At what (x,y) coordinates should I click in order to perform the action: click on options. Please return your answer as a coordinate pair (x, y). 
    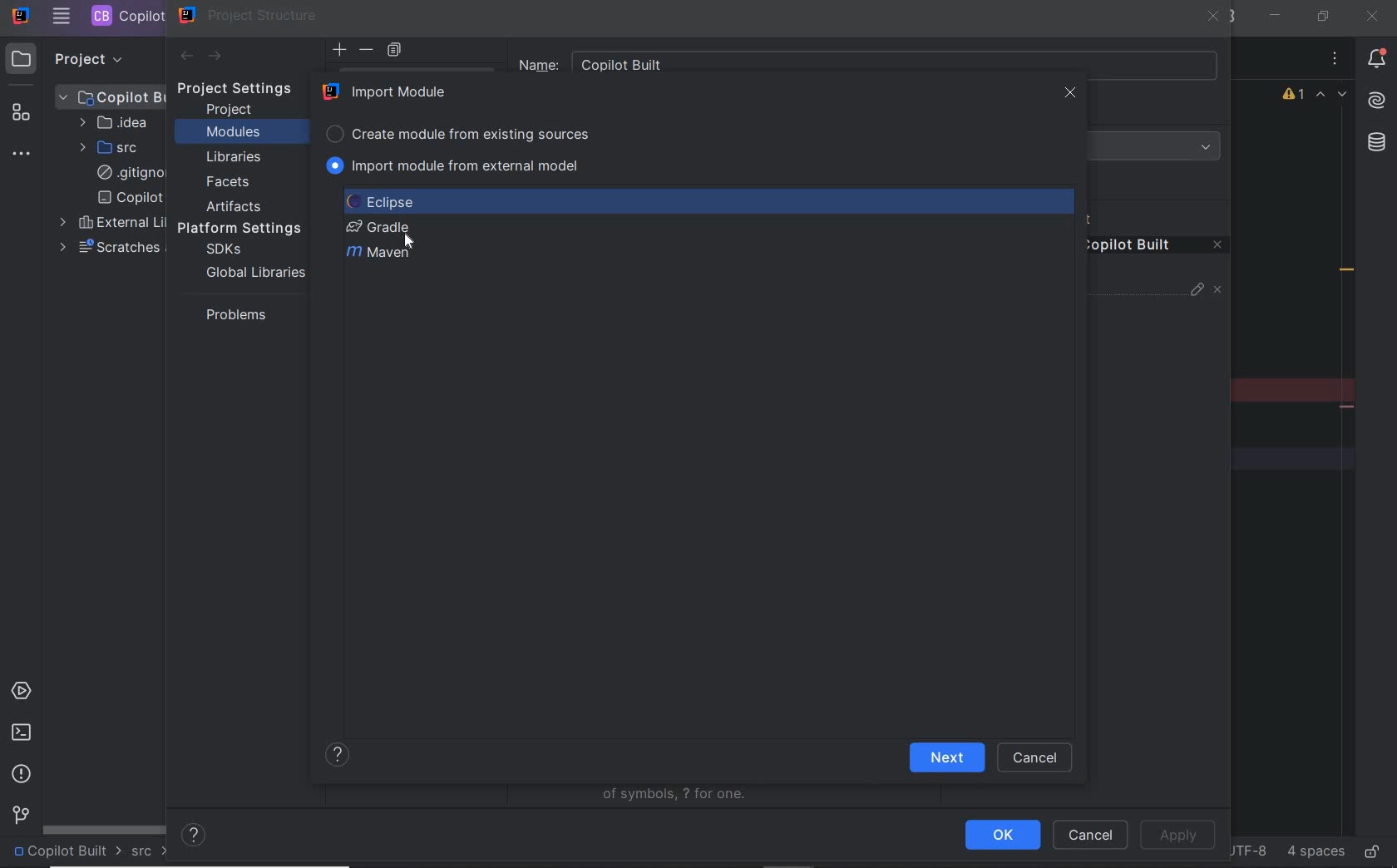
    Looking at the image, I should click on (1335, 61).